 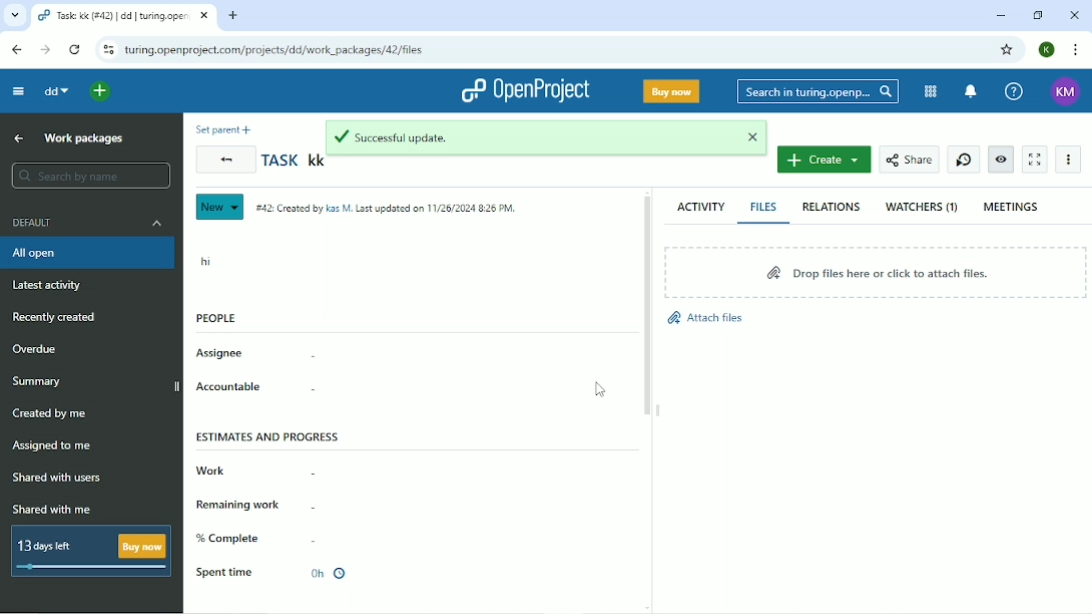 I want to click on OpenProject, so click(x=527, y=90).